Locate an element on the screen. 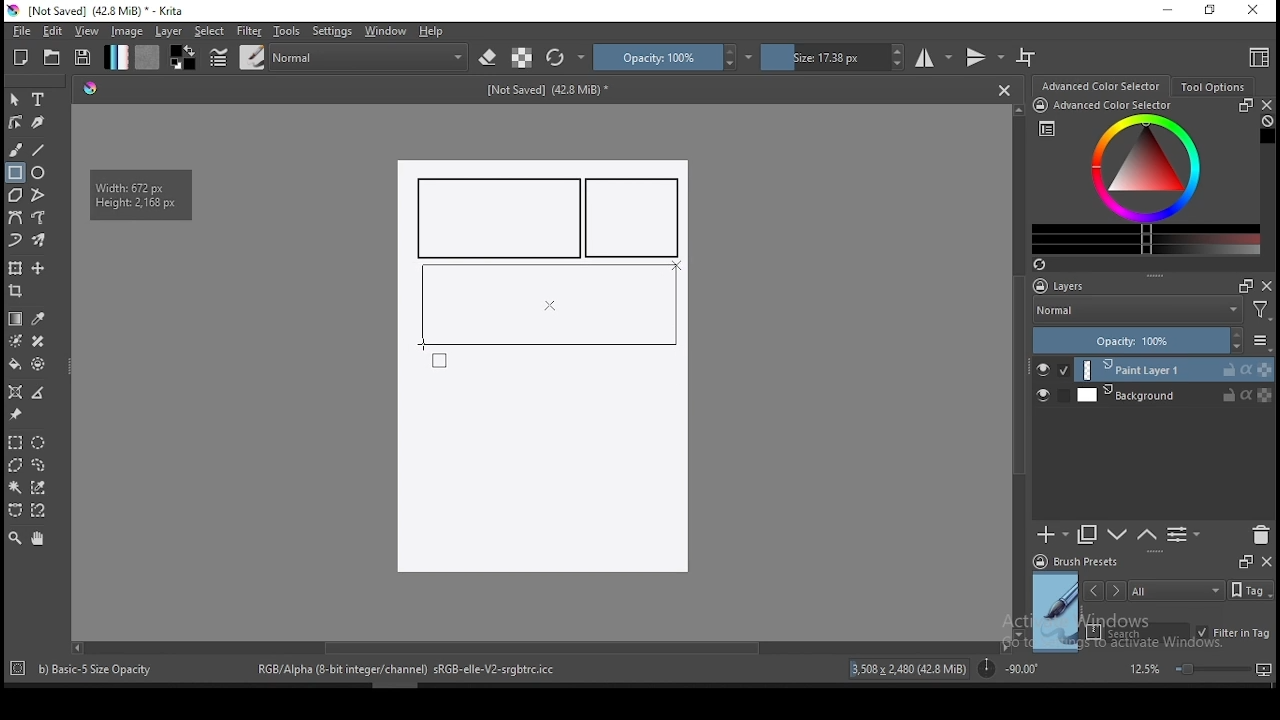  gradient tool is located at coordinates (16, 319).